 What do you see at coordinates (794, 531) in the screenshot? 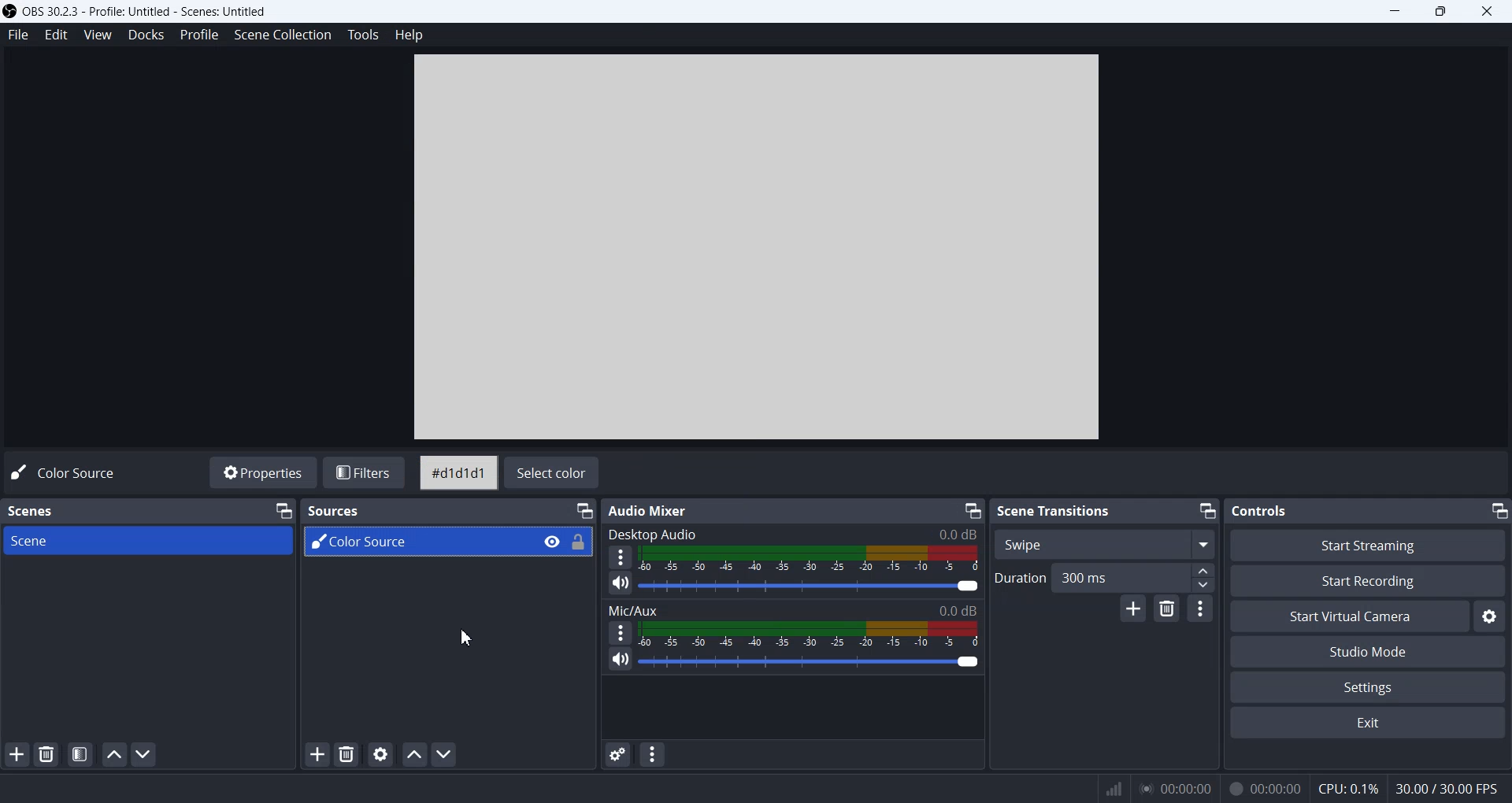
I see `Desktop Audio 0.0 dB` at bounding box center [794, 531].